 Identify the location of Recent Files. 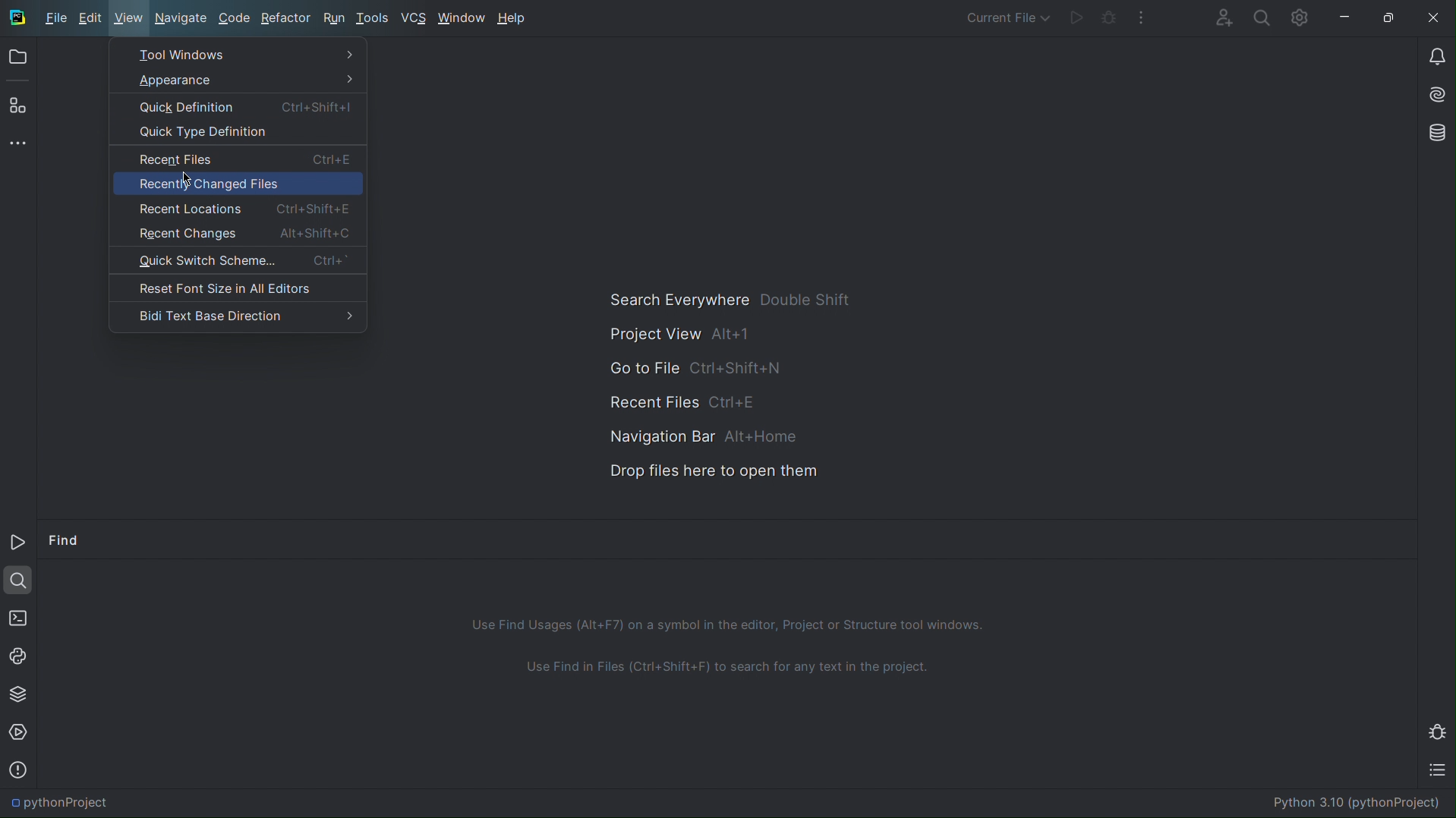
(686, 400).